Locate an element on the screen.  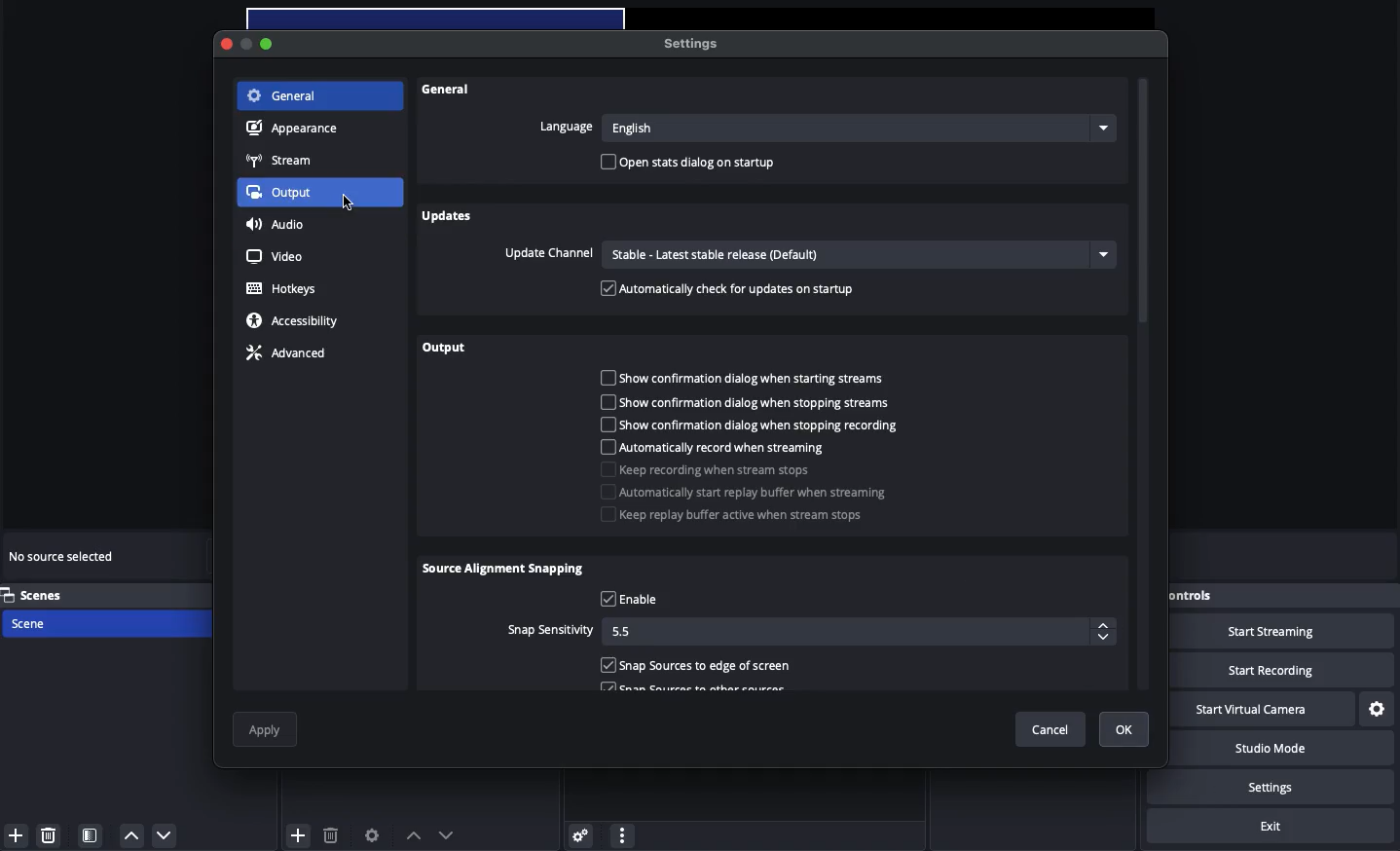
Cursor is located at coordinates (353, 205).